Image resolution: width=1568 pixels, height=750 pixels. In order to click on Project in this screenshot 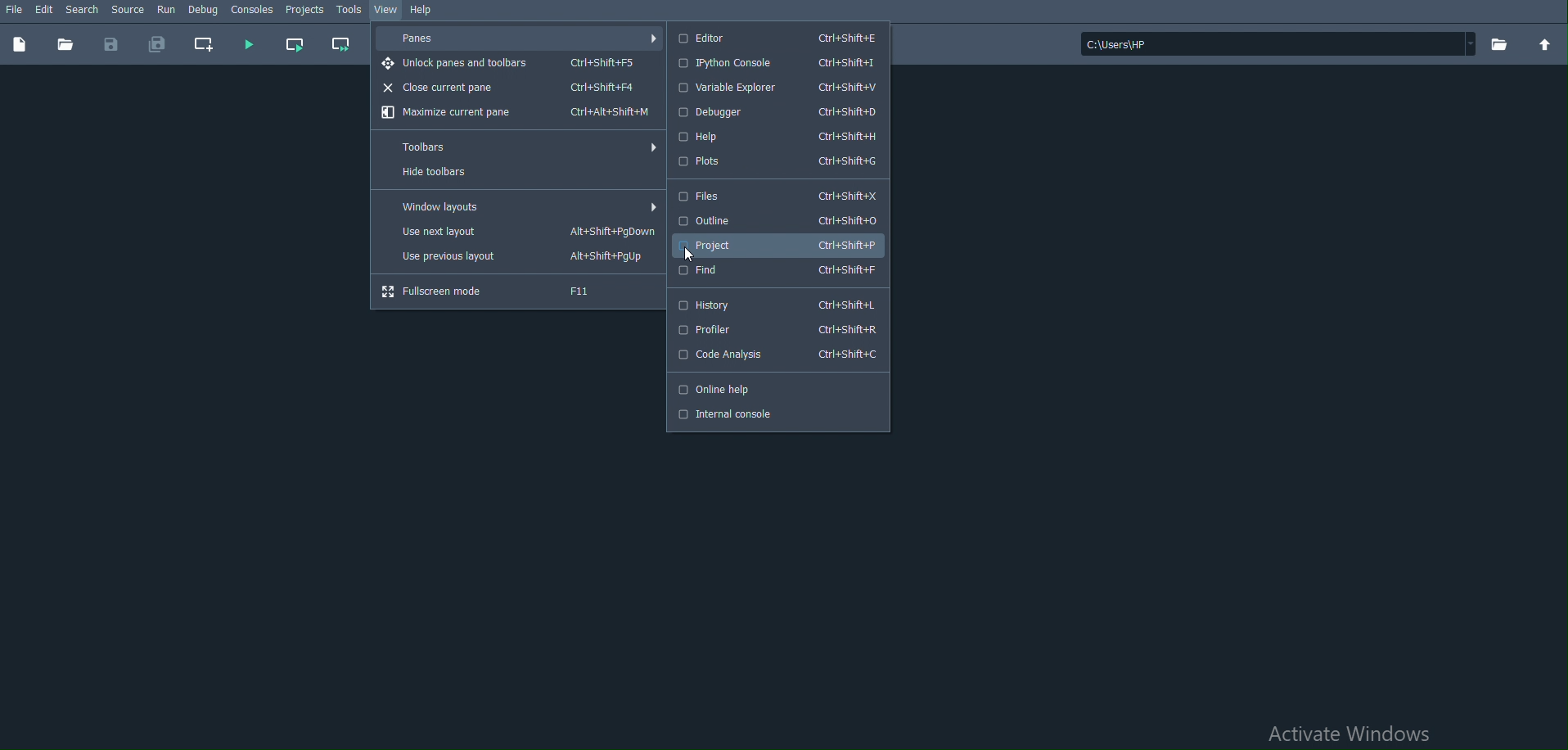, I will do `click(776, 245)`.